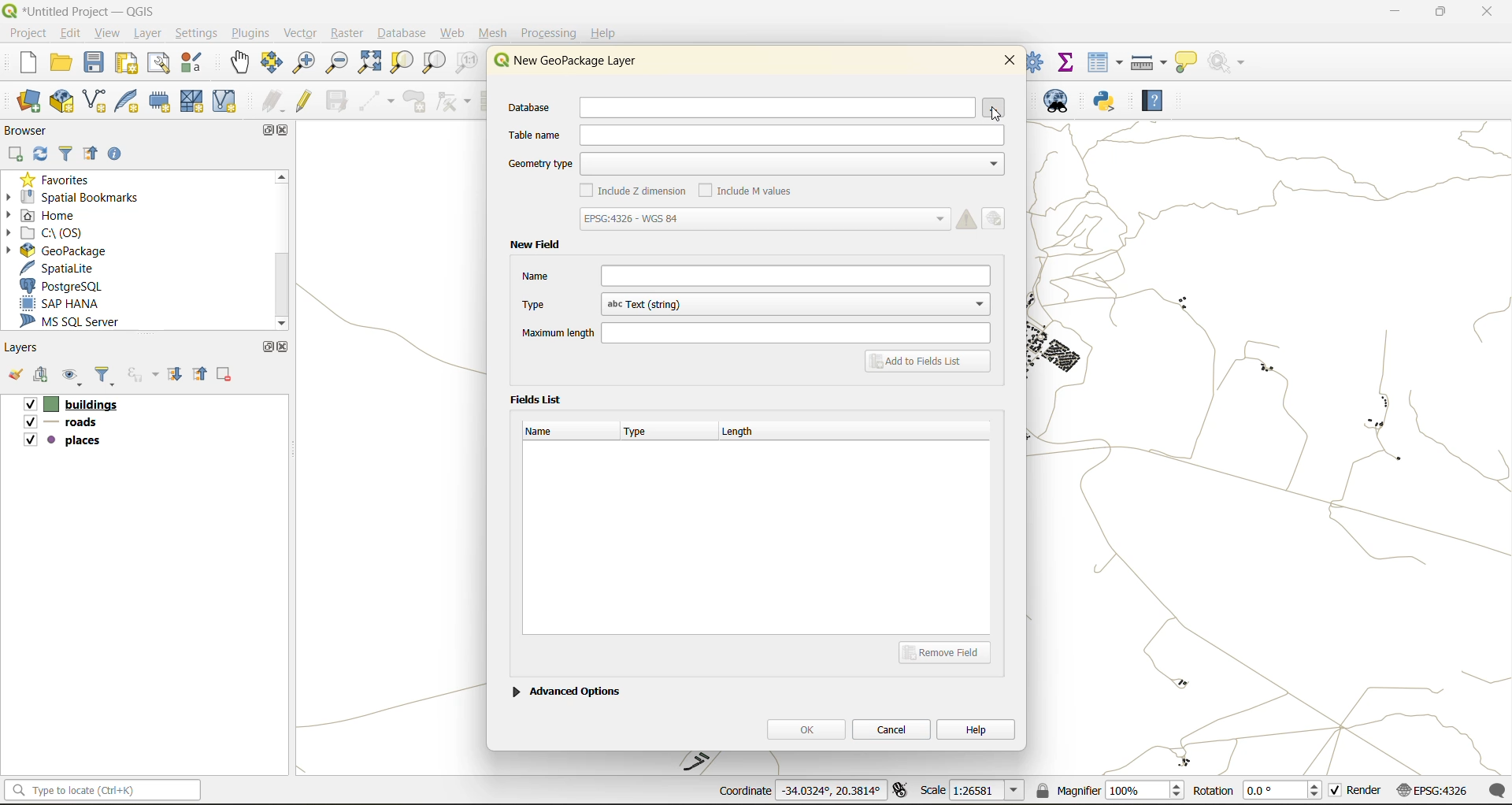 This screenshot has width=1512, height=805. Describe the element at coordinates (950, 651) in the screenshot. I see `remove field` at that location.